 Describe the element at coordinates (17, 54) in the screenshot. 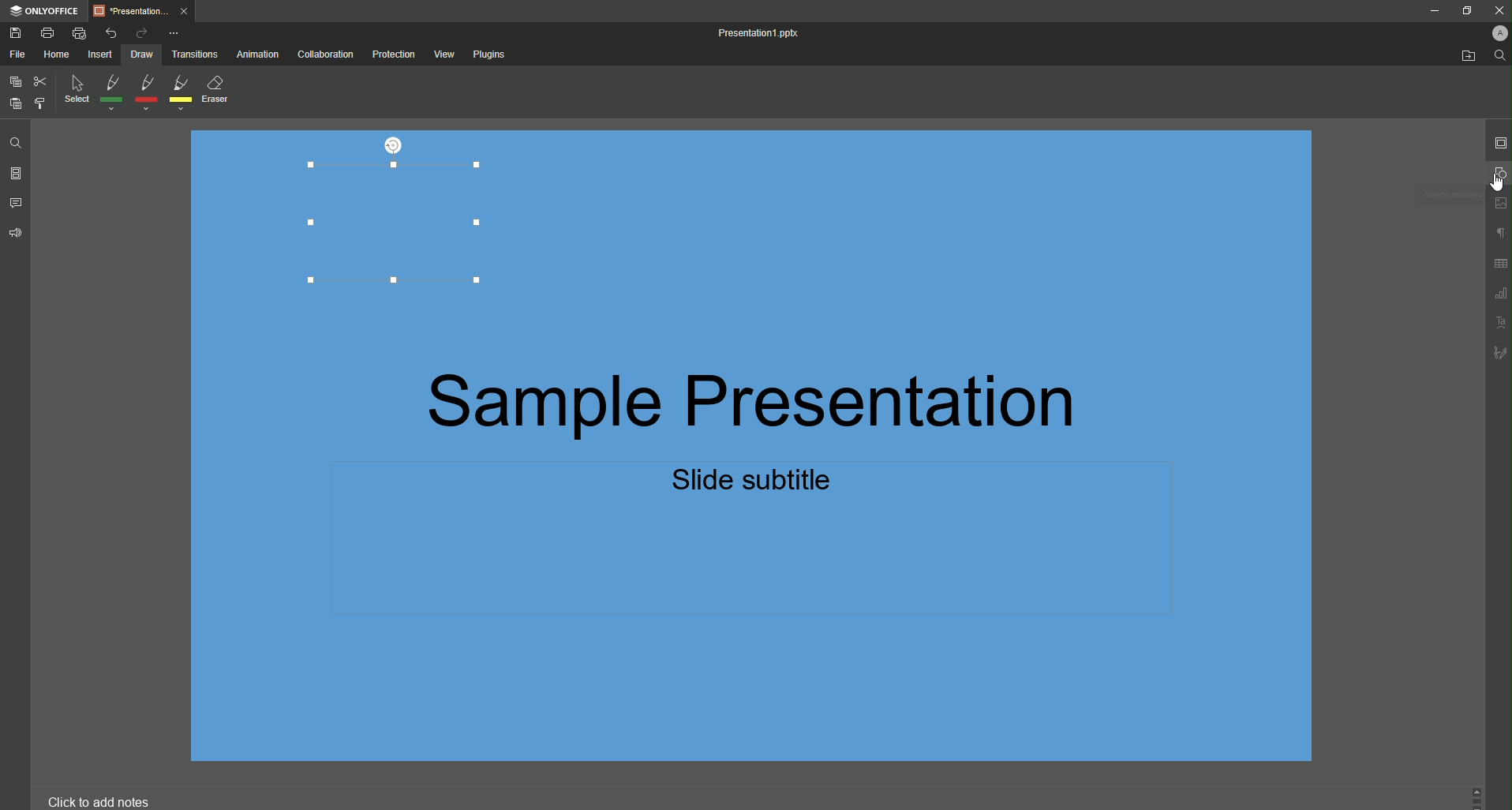

I see `File` at that location.